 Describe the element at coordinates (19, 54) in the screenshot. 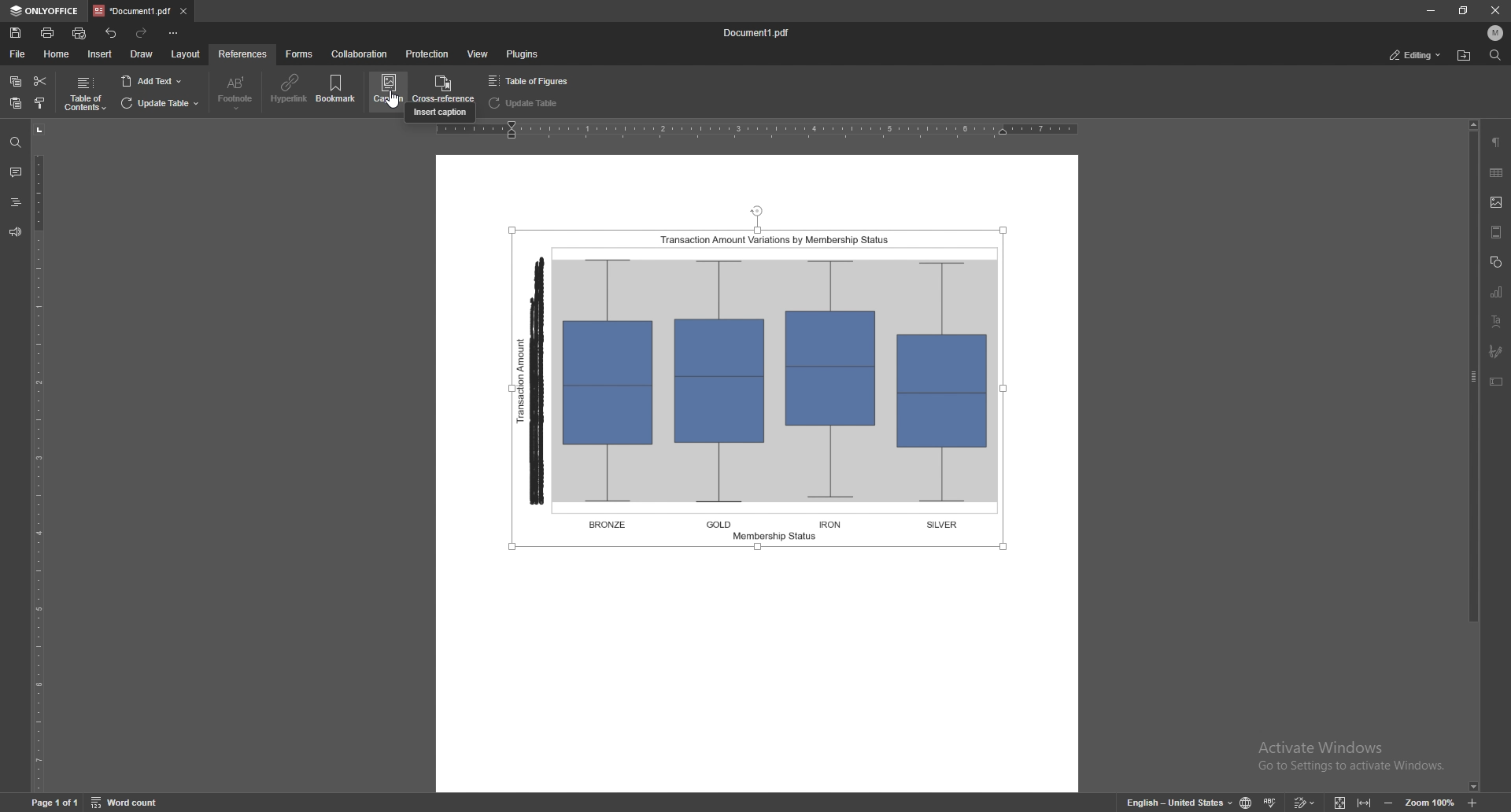

I see `file` at that location.